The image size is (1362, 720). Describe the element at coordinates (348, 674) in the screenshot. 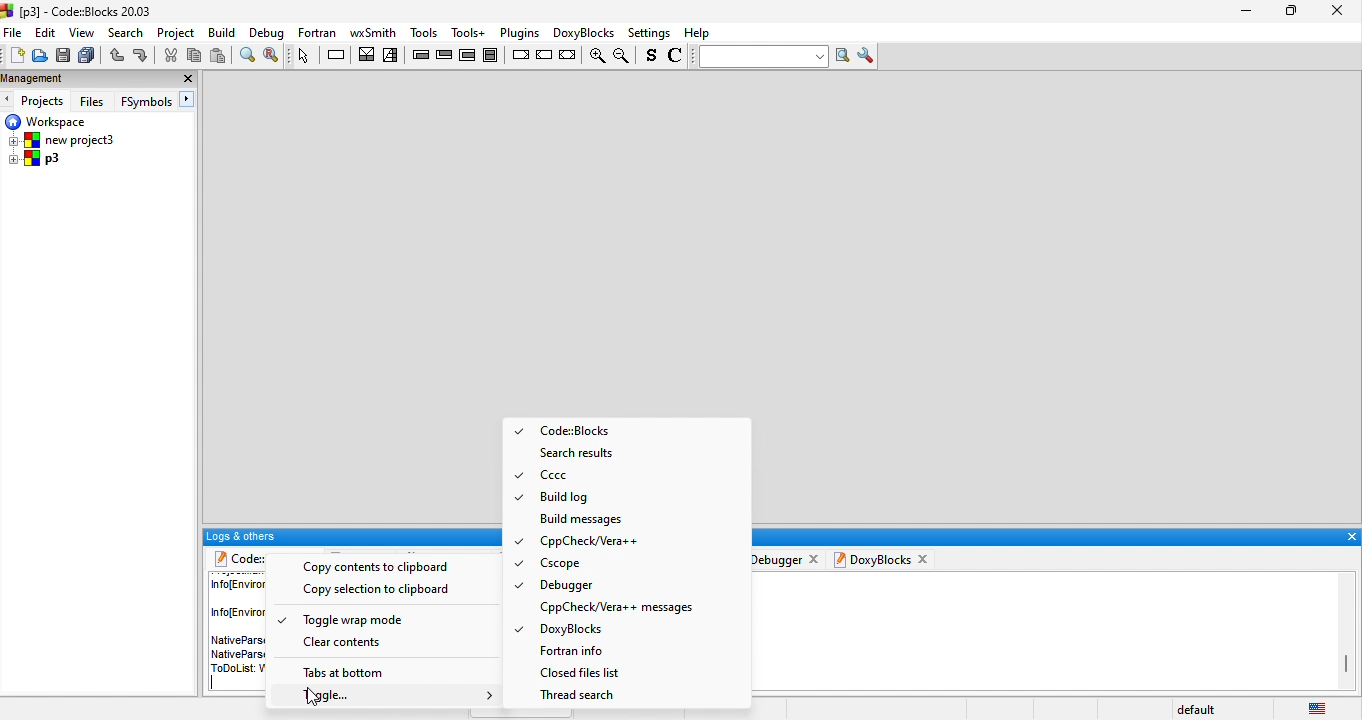

I see `tabs in bottom` at that location.